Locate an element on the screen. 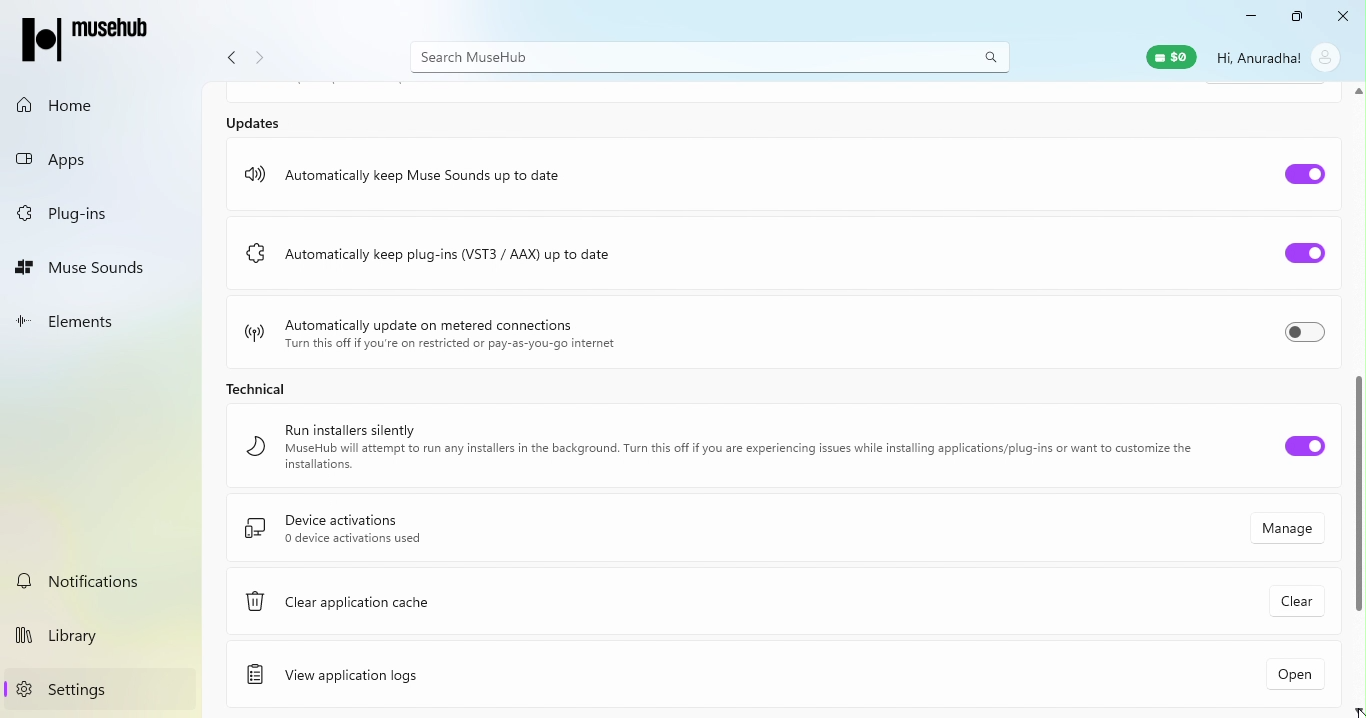 The height and width of the screenshot is (718, 1366). Device activations is located at coordinates (646, 532).